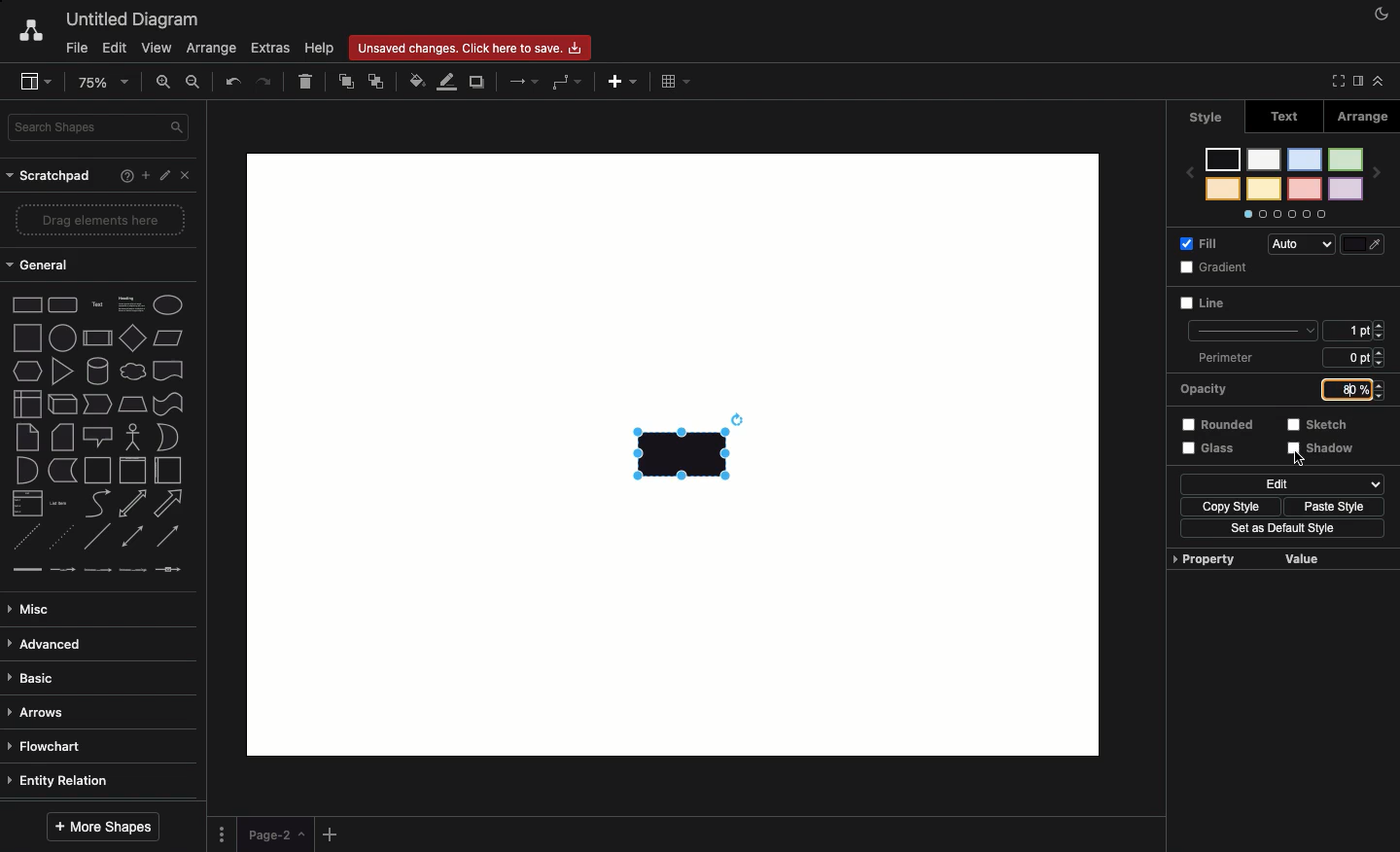 This screenshot has width=1400, height=852. I want to click on link, so click(24, 569).